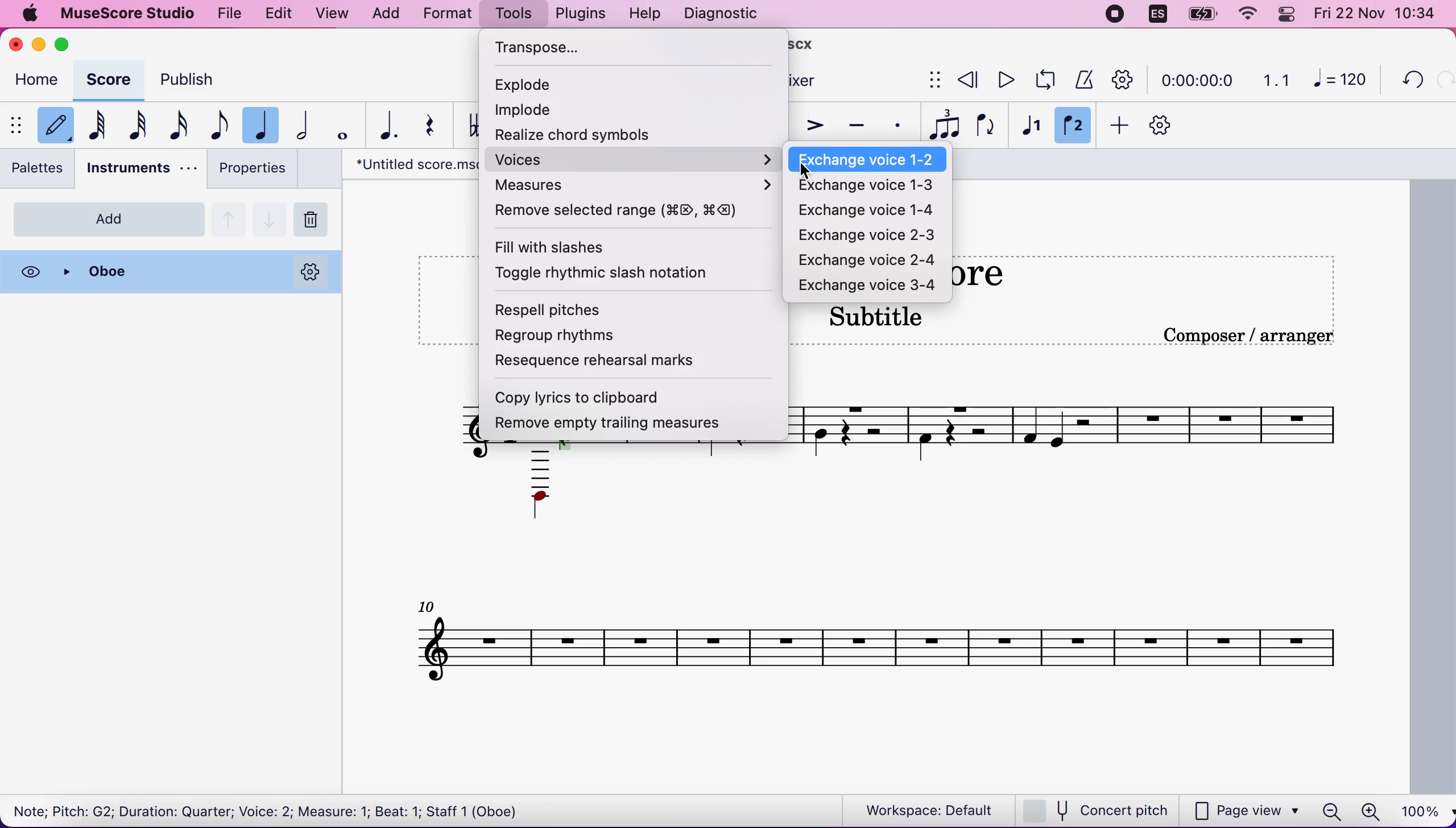 The height and width of the screenshot is (828, 1456). What do you see at coordinates (221, 127) in the screenshot?
I see `eight note` at bounding box center [221, 127].